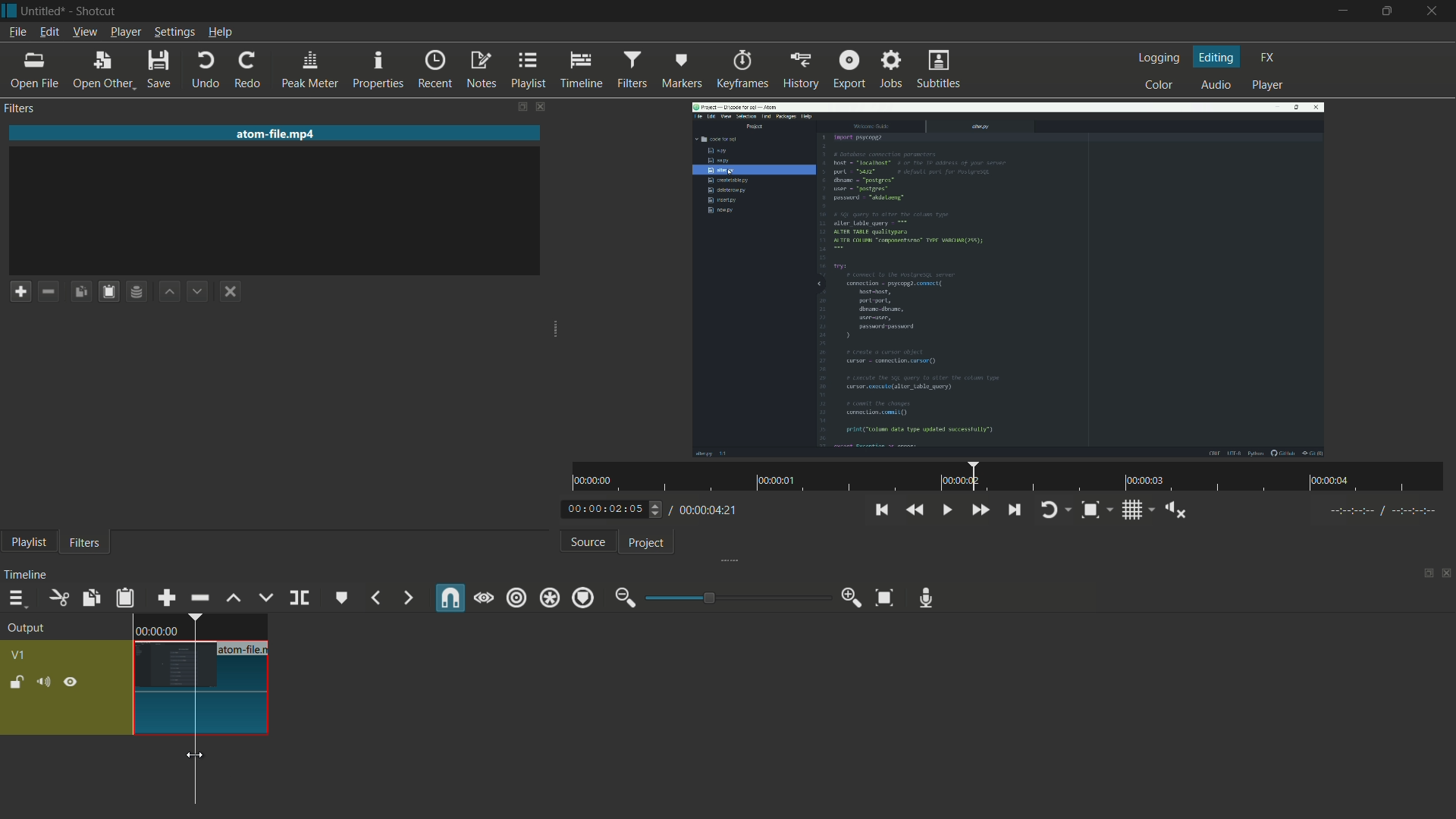 The image size is (1456, 819). Describe the element at coordinates (590, 543) in the screenshot. I see `source` at that location.